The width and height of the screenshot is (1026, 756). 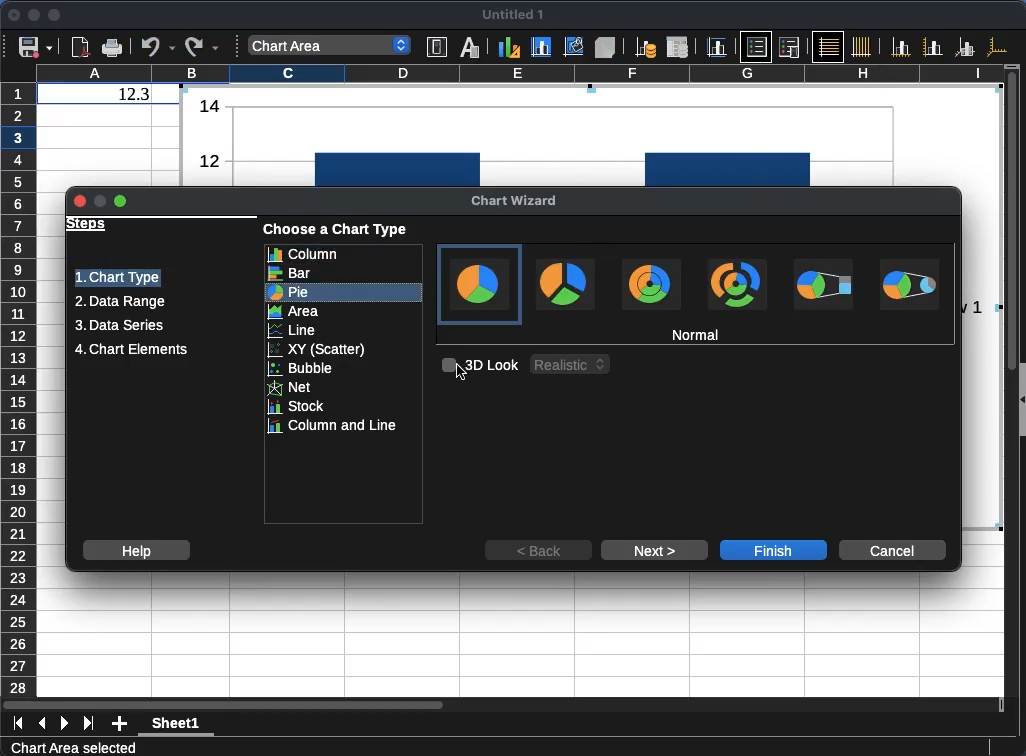 What do you see at coordinates (1023, 400) in the screenshot?
I see `Collapse/Expand` at bounding box center [1023, 400].